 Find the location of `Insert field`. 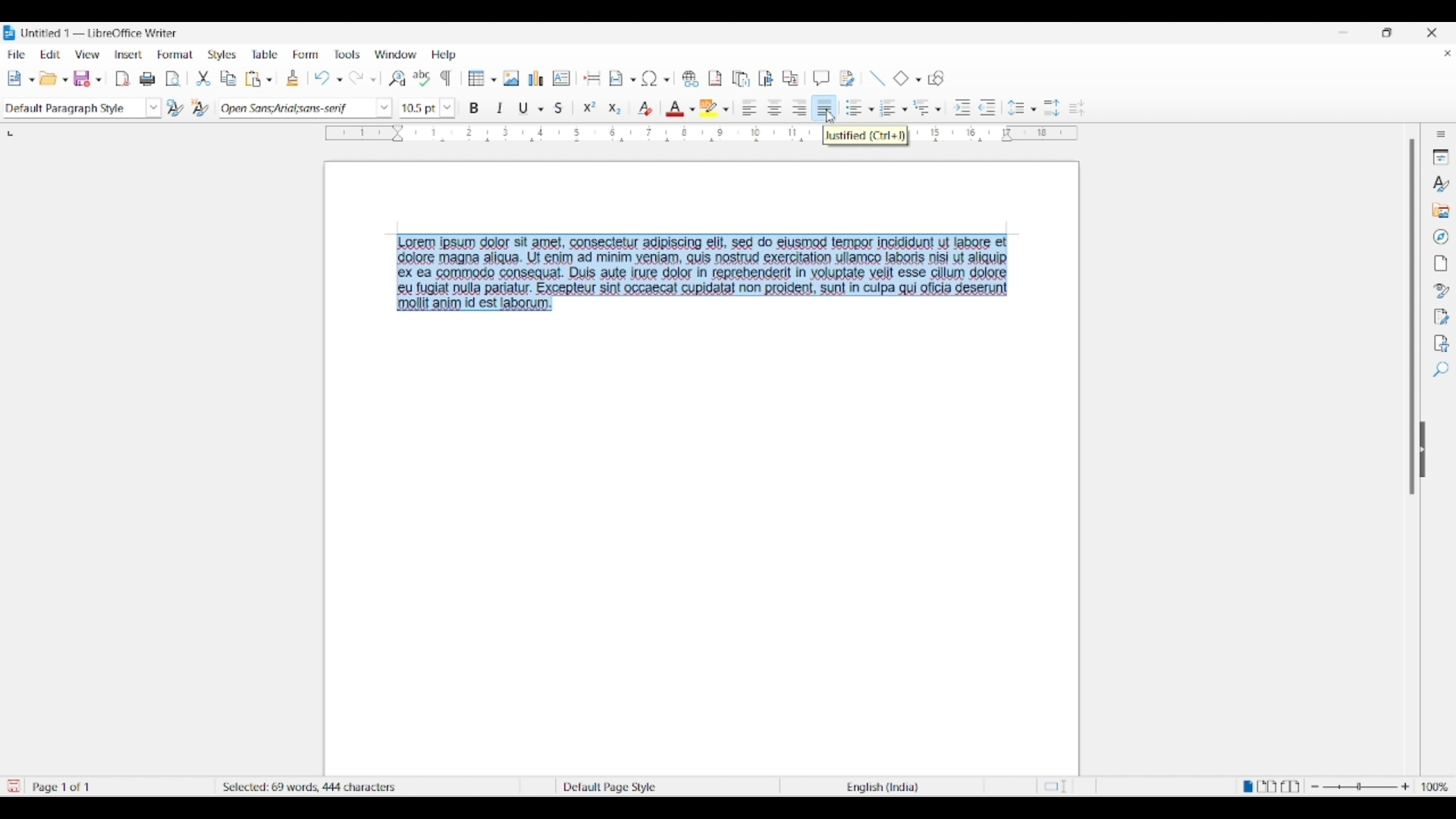

Insert field is located at coordinates (617, 79).